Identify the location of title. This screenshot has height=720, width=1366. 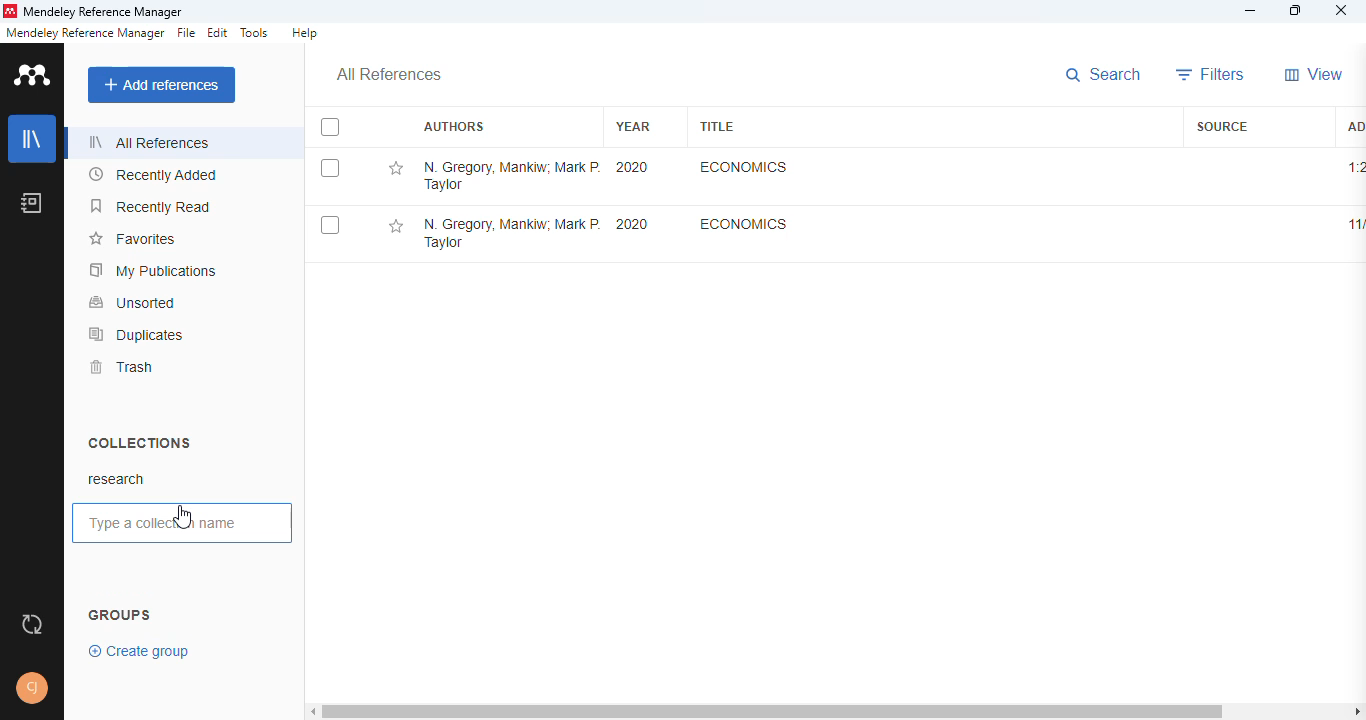
(716, 126).